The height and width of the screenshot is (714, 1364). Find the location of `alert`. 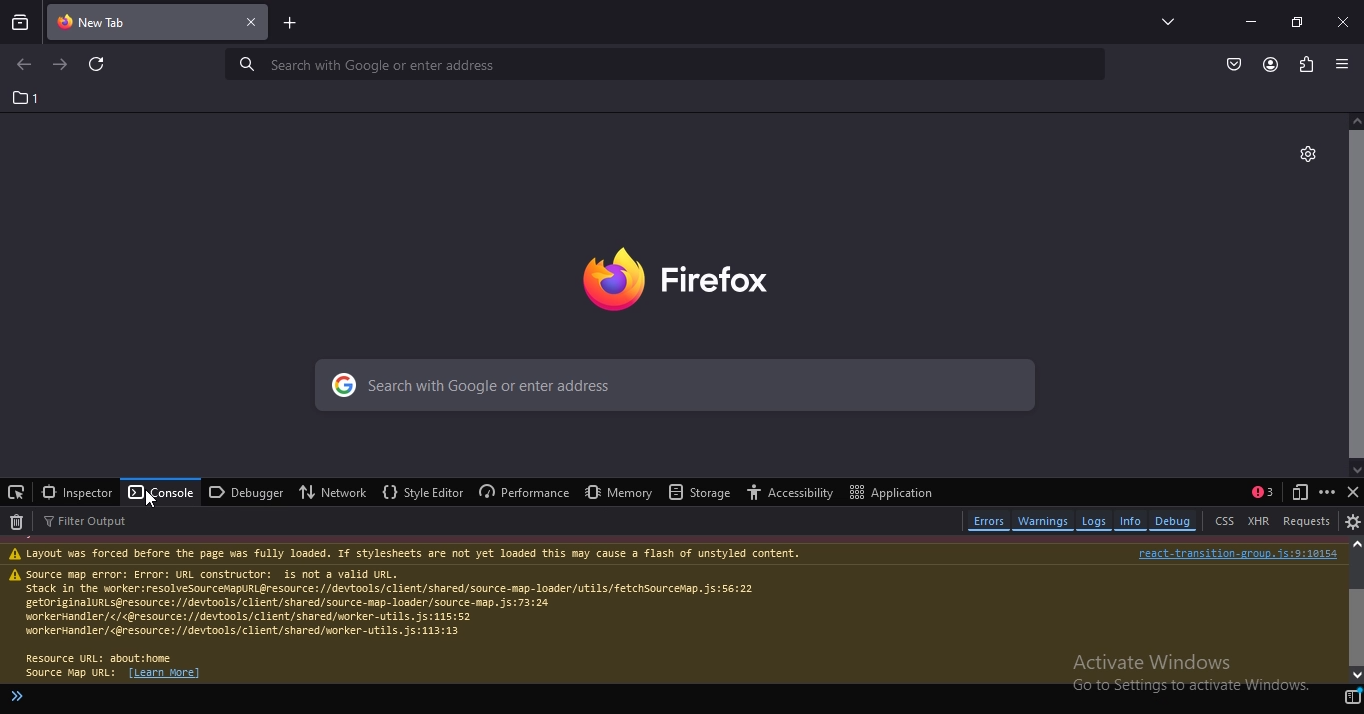

alert is located at coordinates (18, 697).